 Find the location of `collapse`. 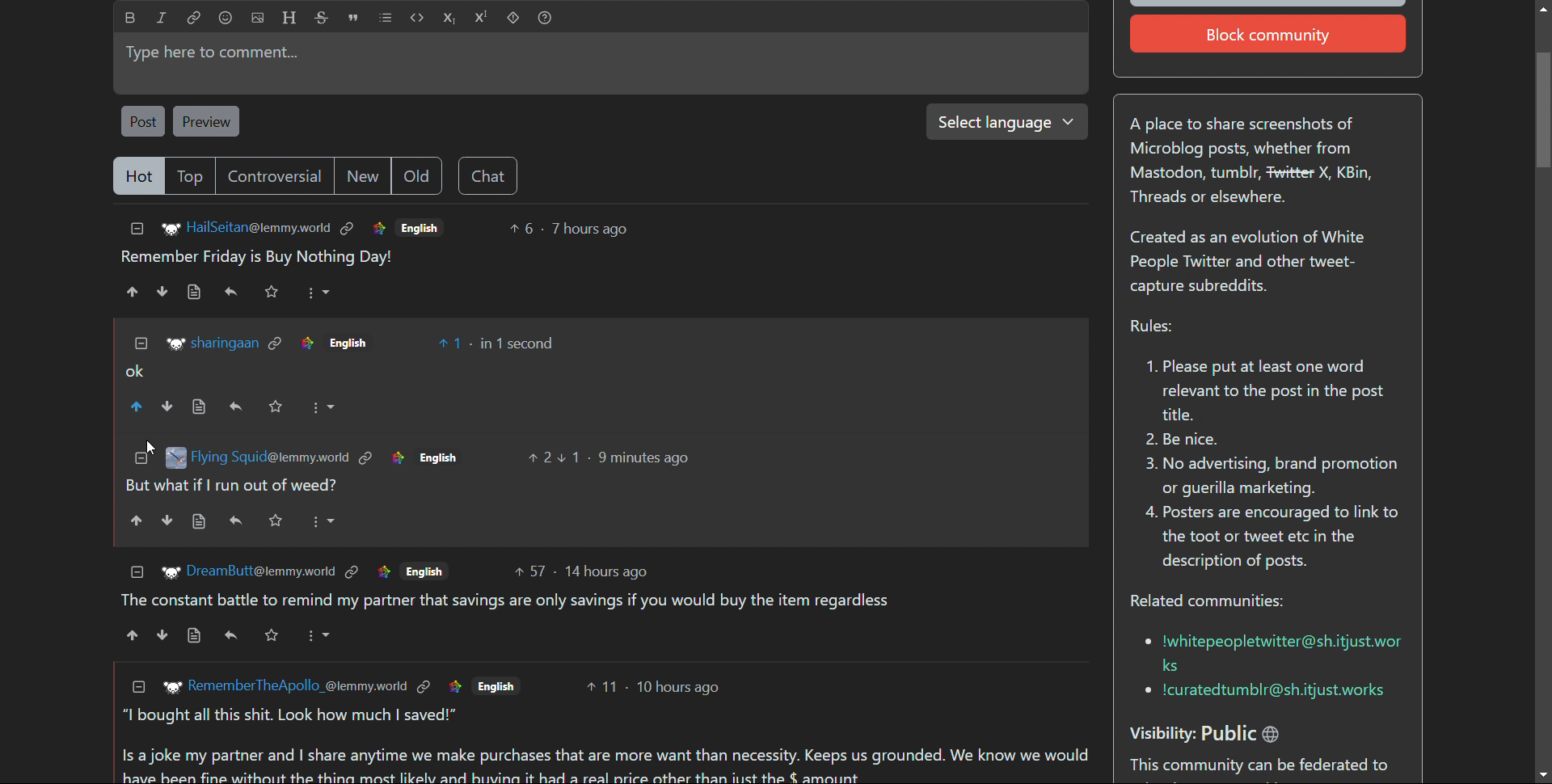

collapse is located at coordinates (132, 571).